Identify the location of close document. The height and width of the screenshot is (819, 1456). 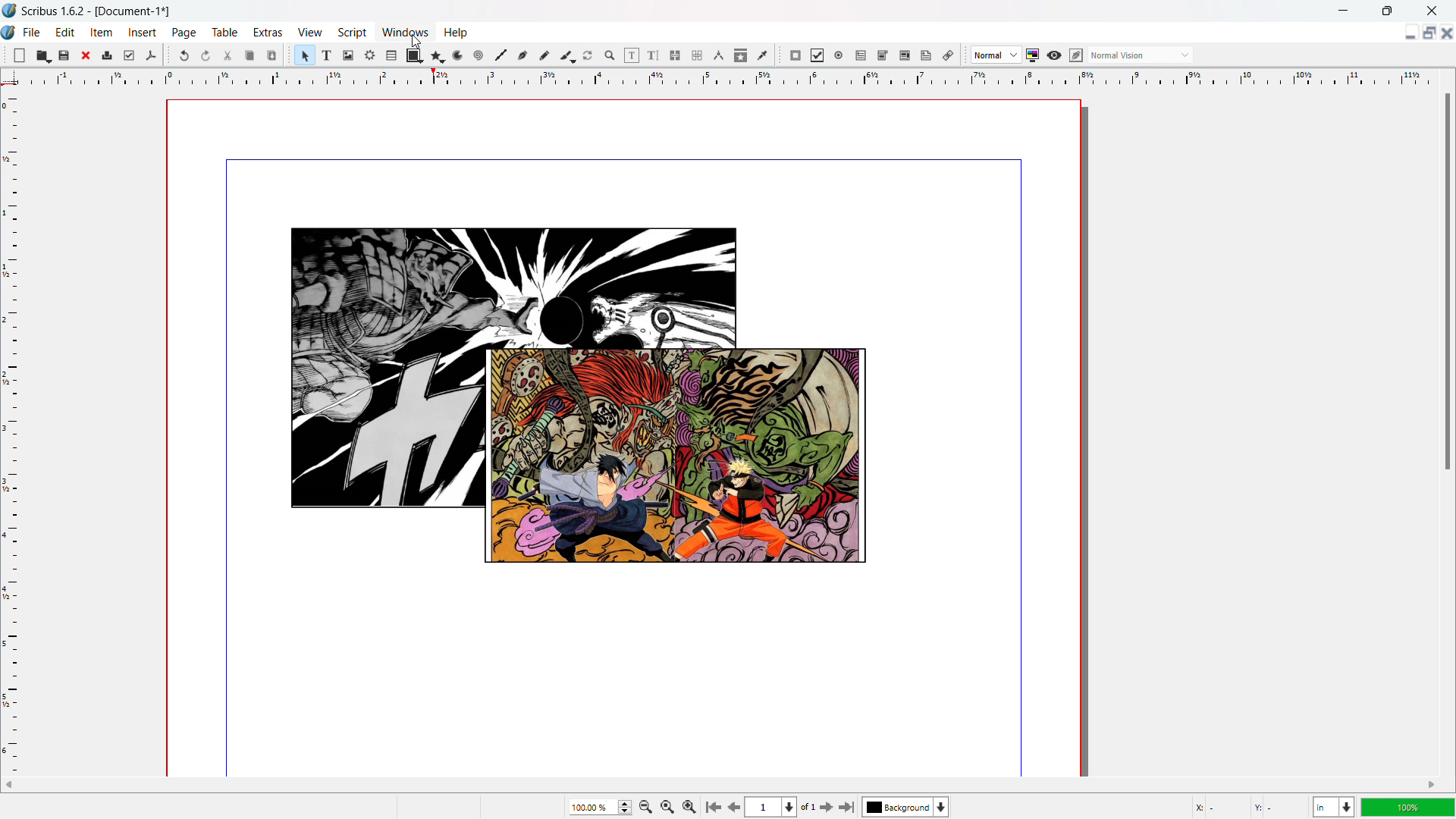
(1447, 33).